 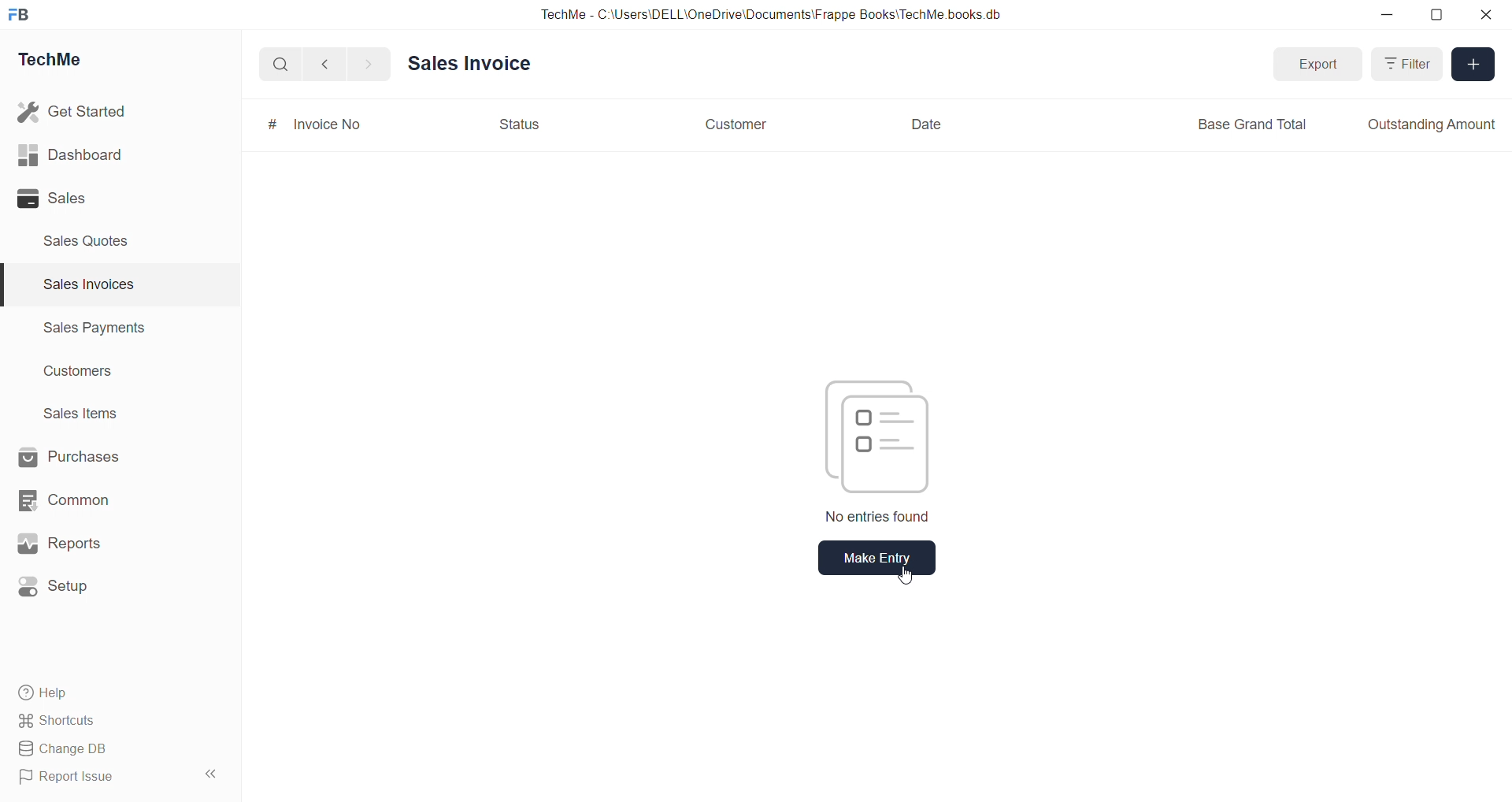 What do you see at coordinates (70, 154) in the screenshot?
I see `Dashboard` at bounding box center [70, 154].